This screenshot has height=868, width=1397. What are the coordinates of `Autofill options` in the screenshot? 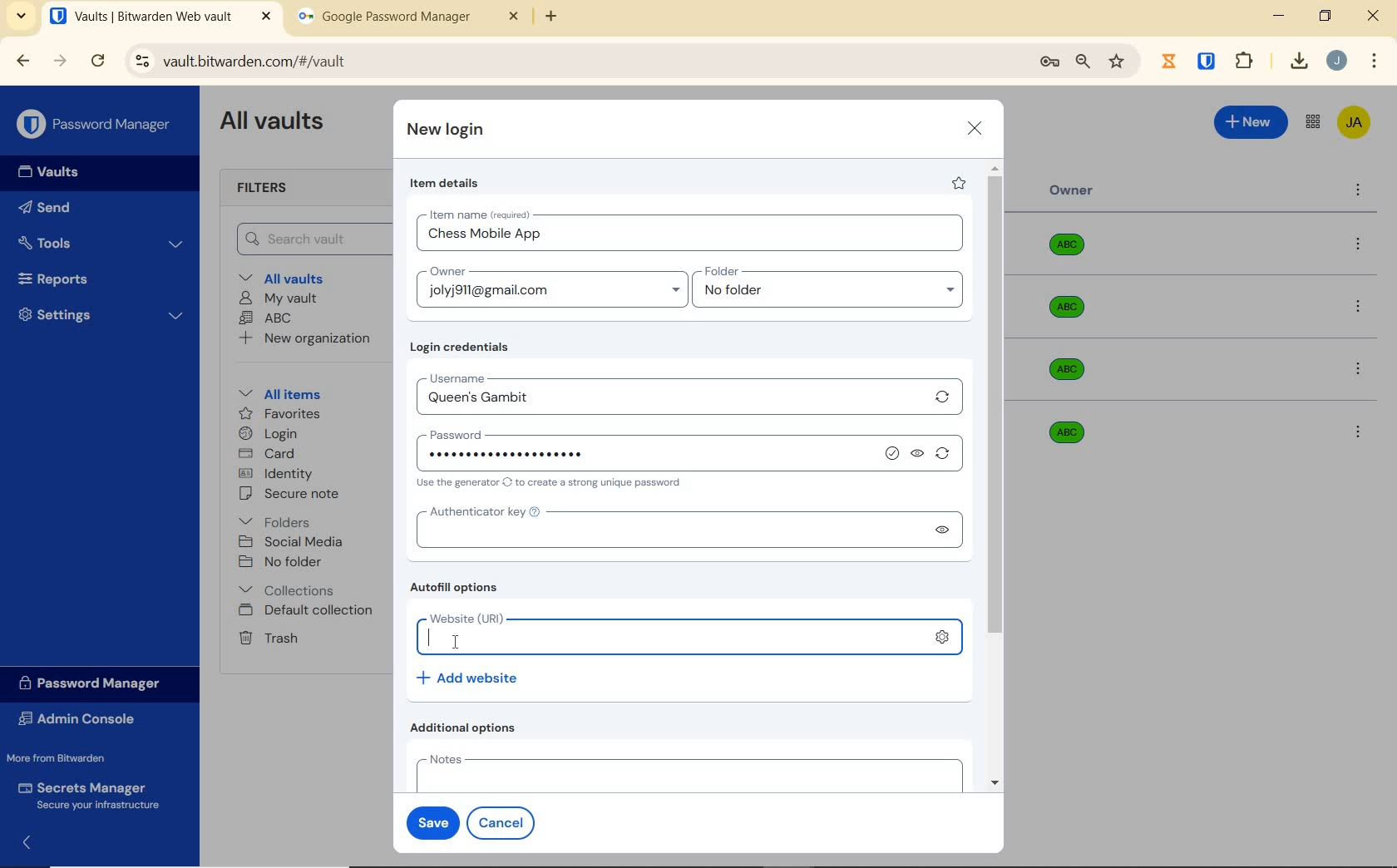 It's located at (458, 589).